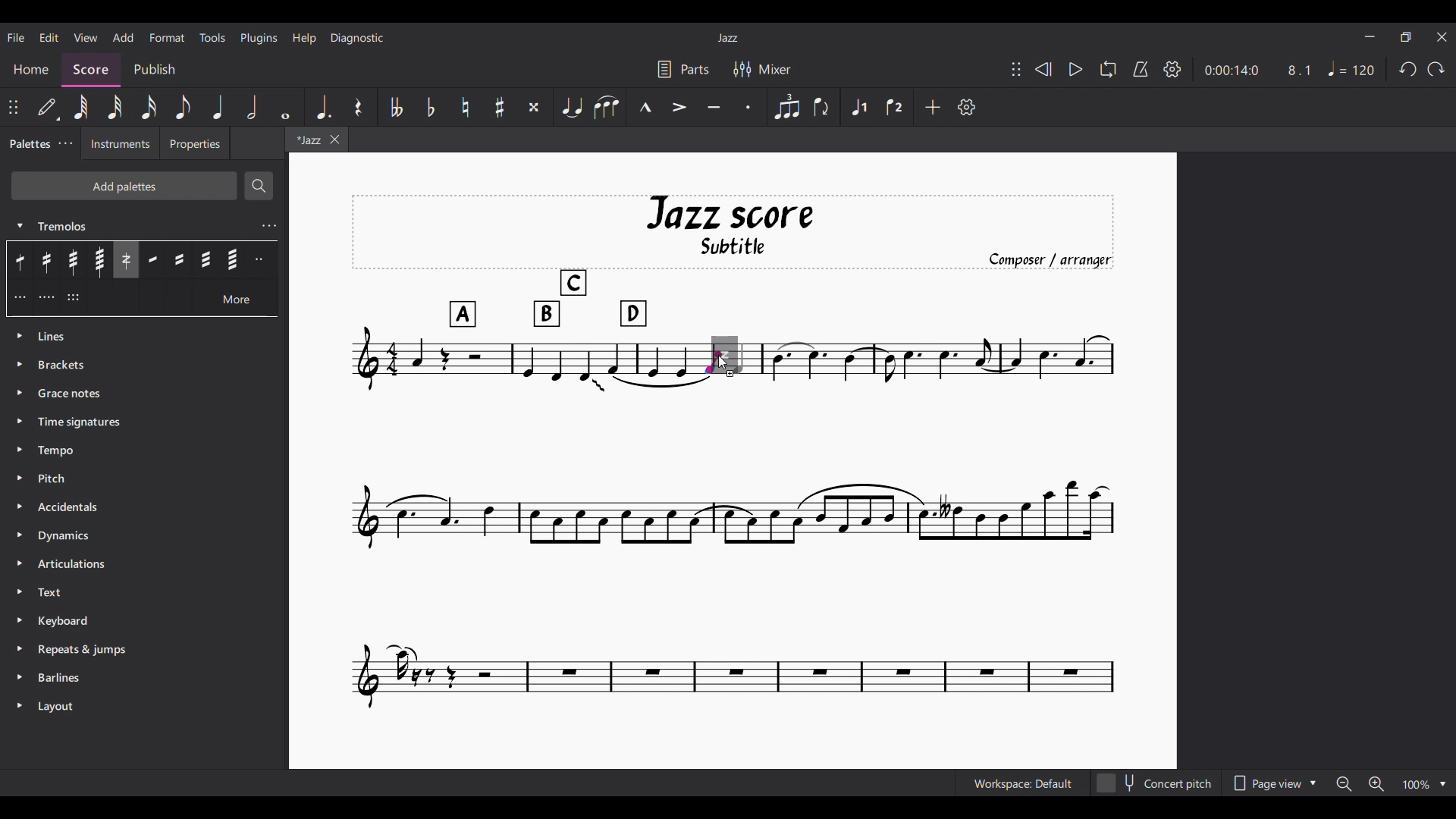 The image size is (1456, 819). What do you see at coordinates (1076, 69) in the screenshot?
I see `Play` at bounding box center [1076, 69].